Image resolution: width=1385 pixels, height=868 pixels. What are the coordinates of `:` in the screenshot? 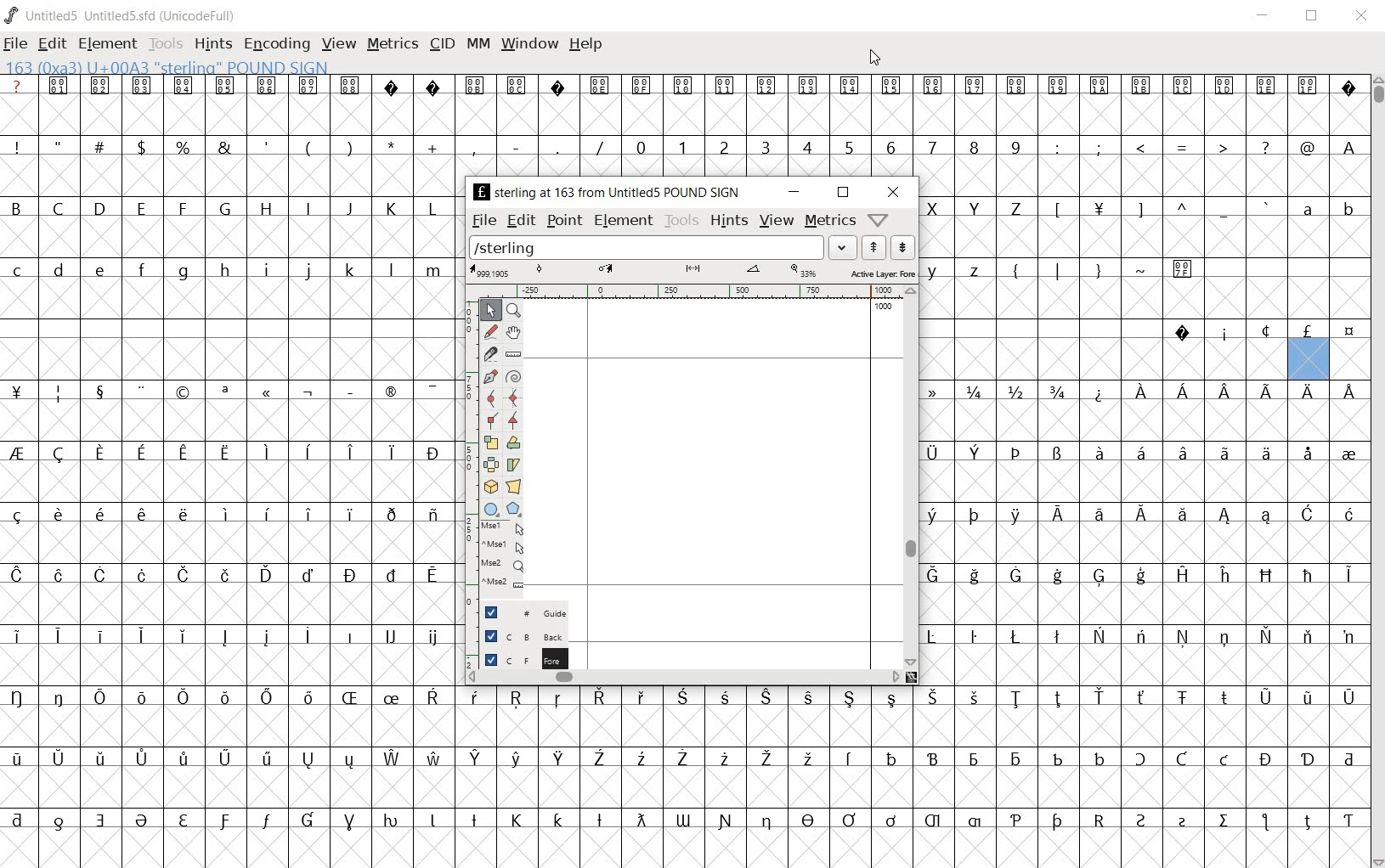 It's located at (1055, 146).